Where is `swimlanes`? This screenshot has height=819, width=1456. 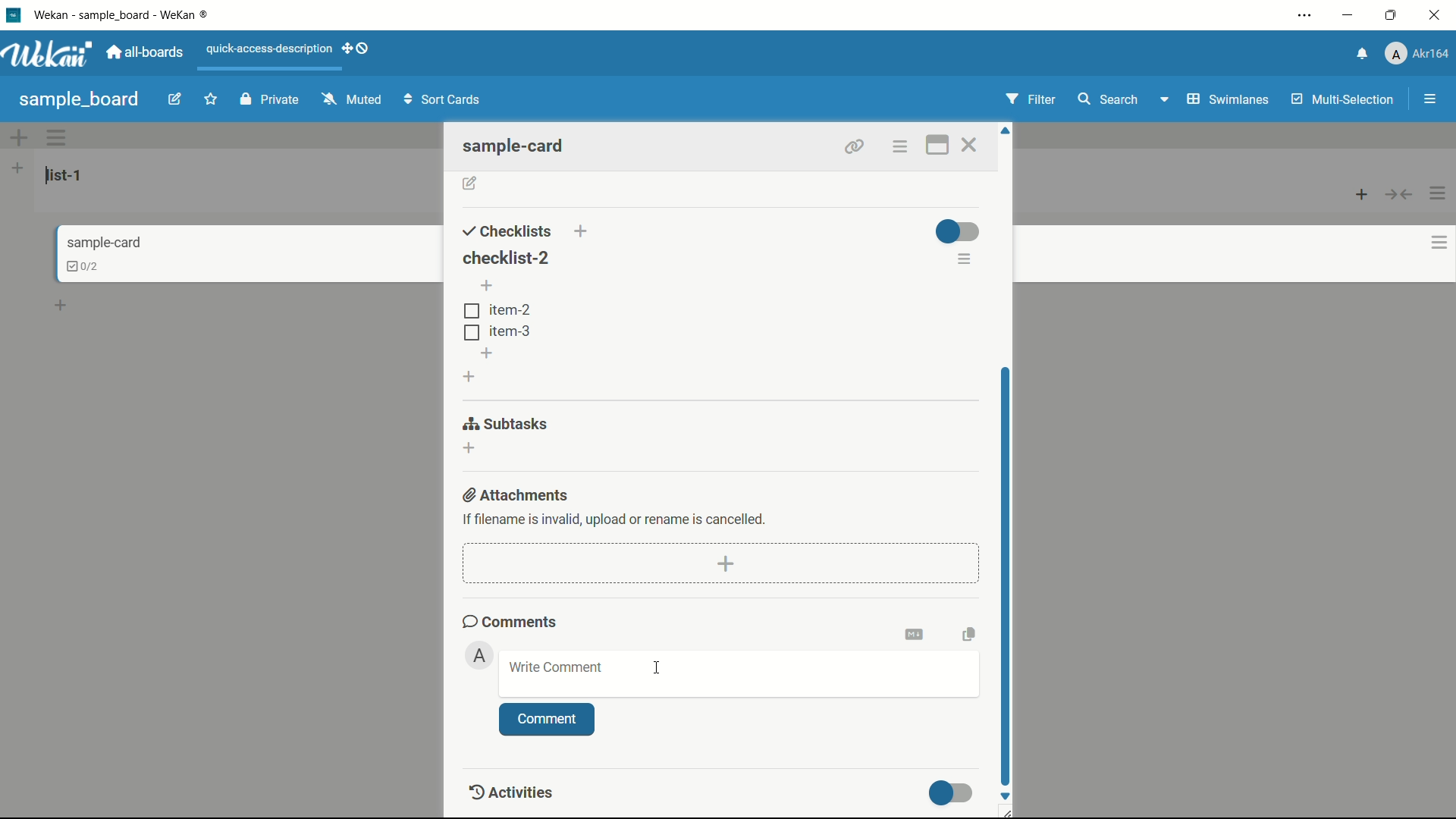
swimlanes is located at coordinates (1227, 99).